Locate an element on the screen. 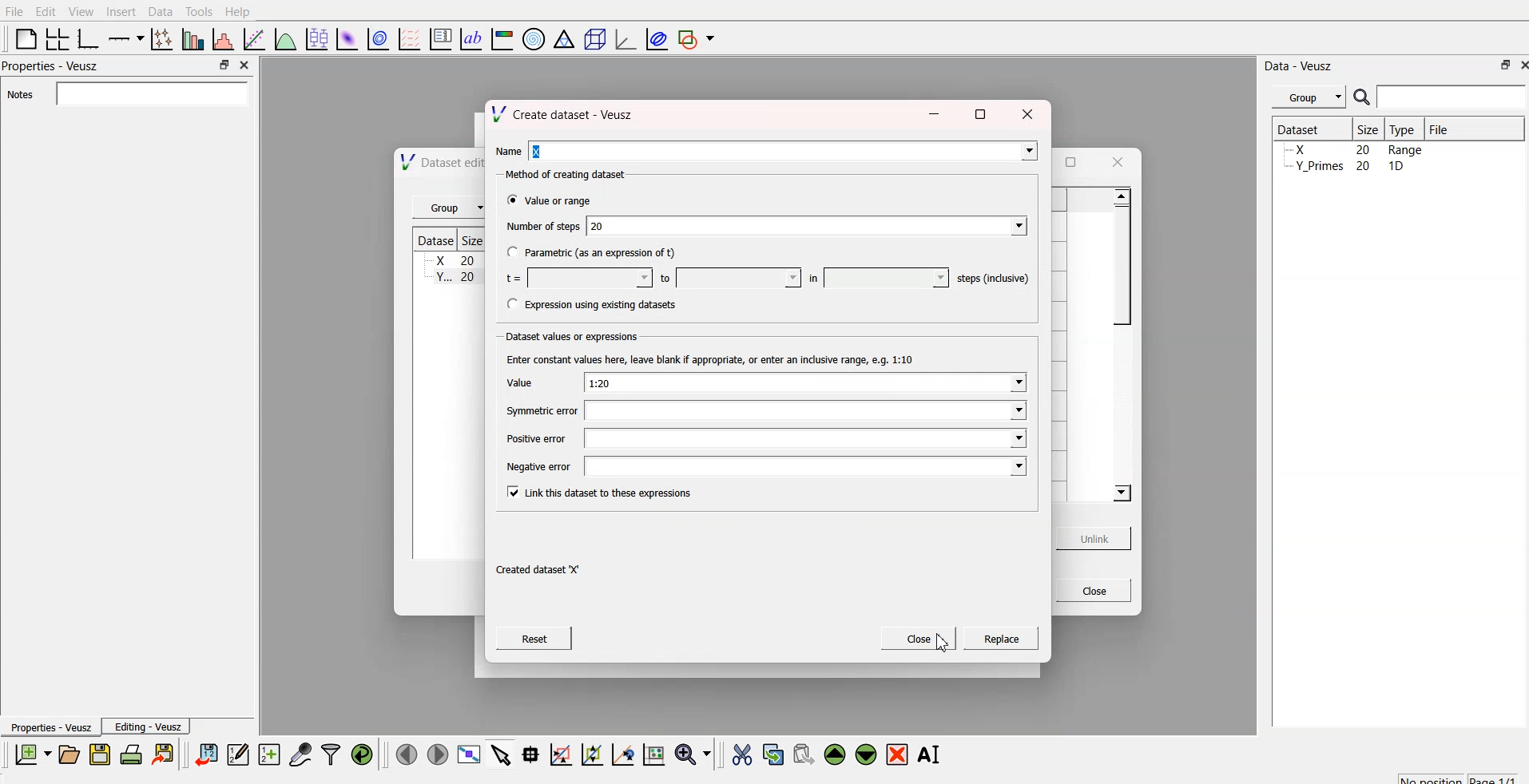 This screenshot has width=1529, height=784. Group is located at coordinates (1311, 95).